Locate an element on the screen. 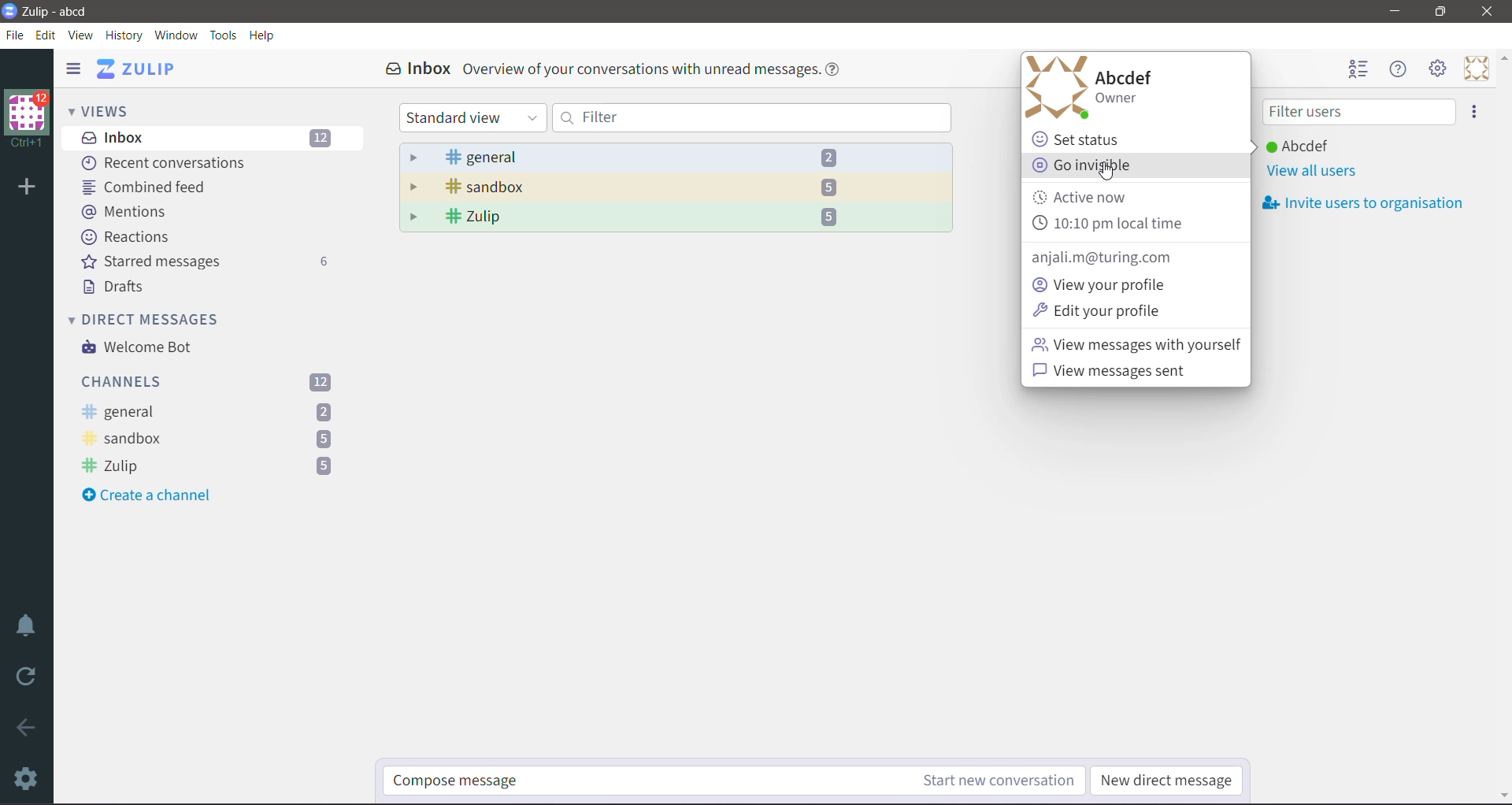 The height and width of the screenshot is (805, 1512). Inbox is located at coordinates (212, 138).